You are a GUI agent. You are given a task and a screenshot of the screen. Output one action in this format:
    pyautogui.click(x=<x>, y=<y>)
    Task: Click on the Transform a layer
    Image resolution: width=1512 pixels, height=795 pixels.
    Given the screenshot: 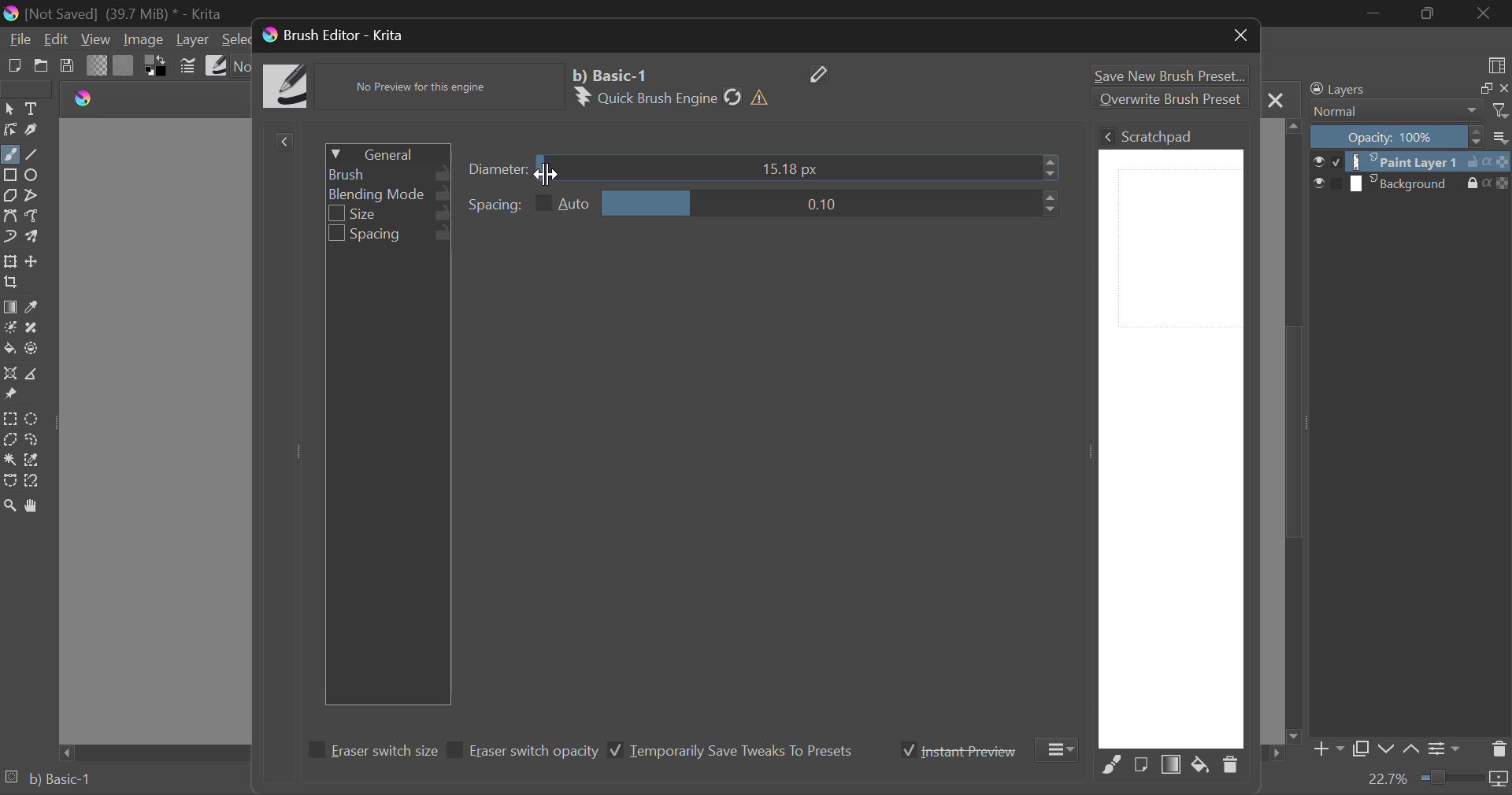 What is the action you would take?
    pyautogui.click(x=9, y=261)
    